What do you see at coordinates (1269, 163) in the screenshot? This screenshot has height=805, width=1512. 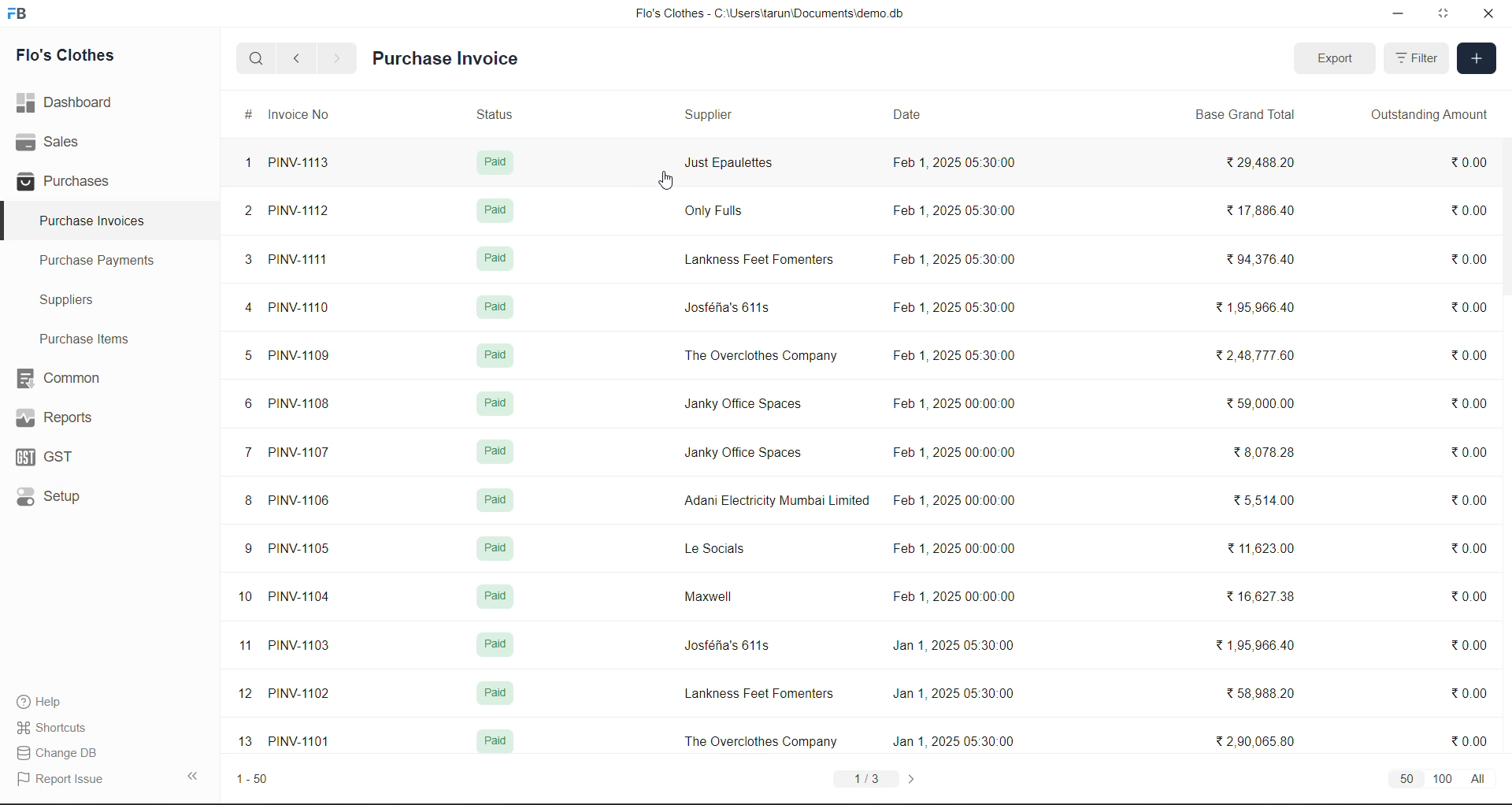 I see `₹29,488.20` at bounding box center [1269, 163].